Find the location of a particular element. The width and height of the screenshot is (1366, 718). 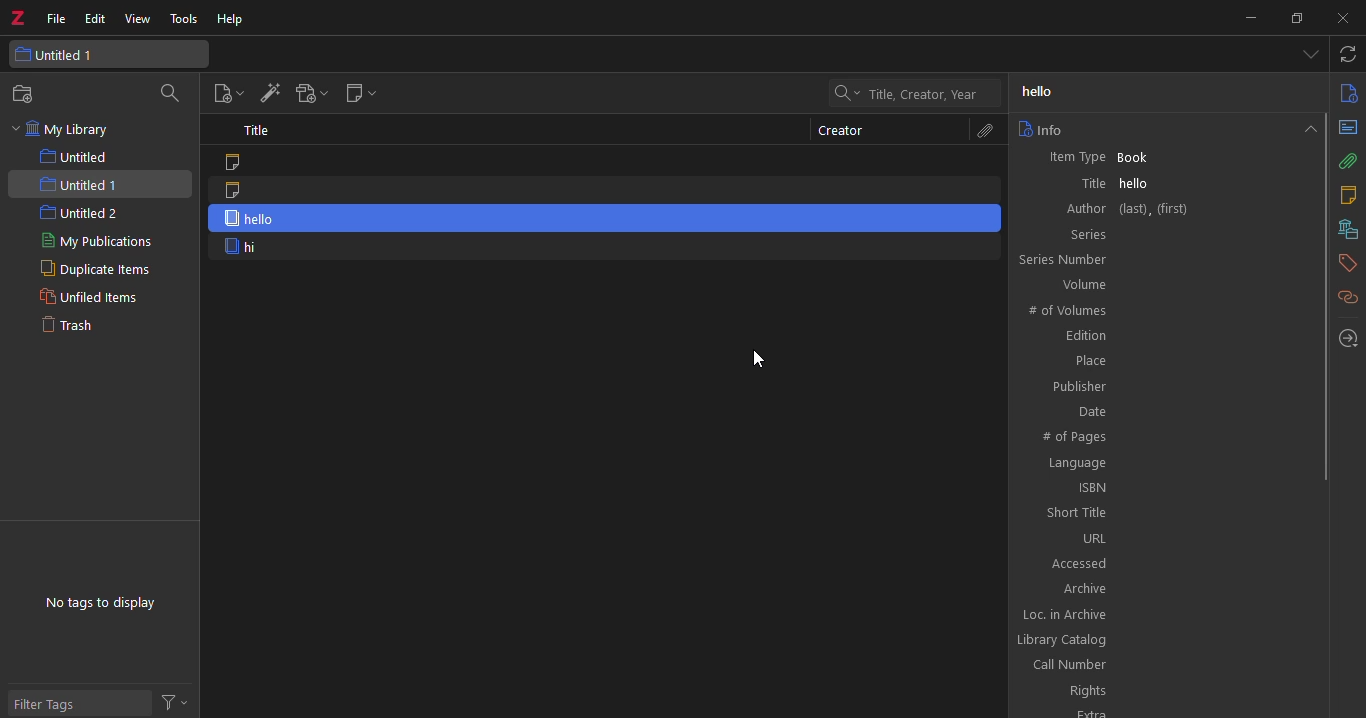

Place is located at coordinates (1166, 361).